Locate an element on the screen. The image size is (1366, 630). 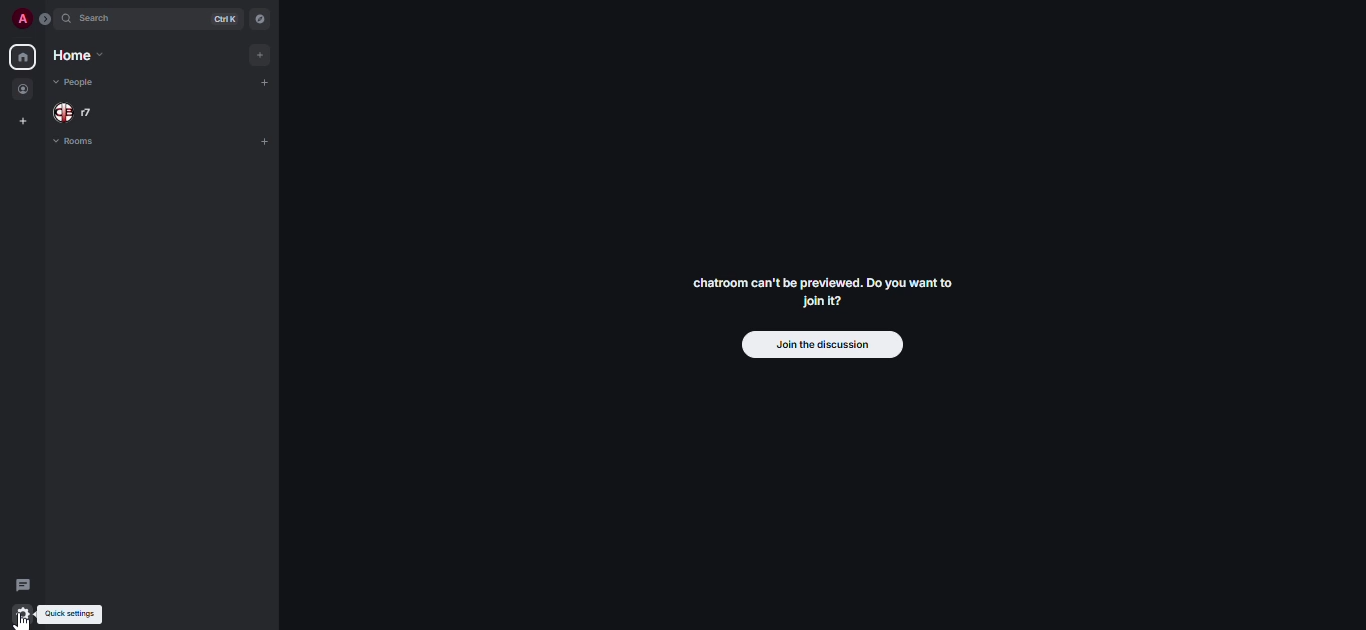
people is located at coordinates (74, 81).